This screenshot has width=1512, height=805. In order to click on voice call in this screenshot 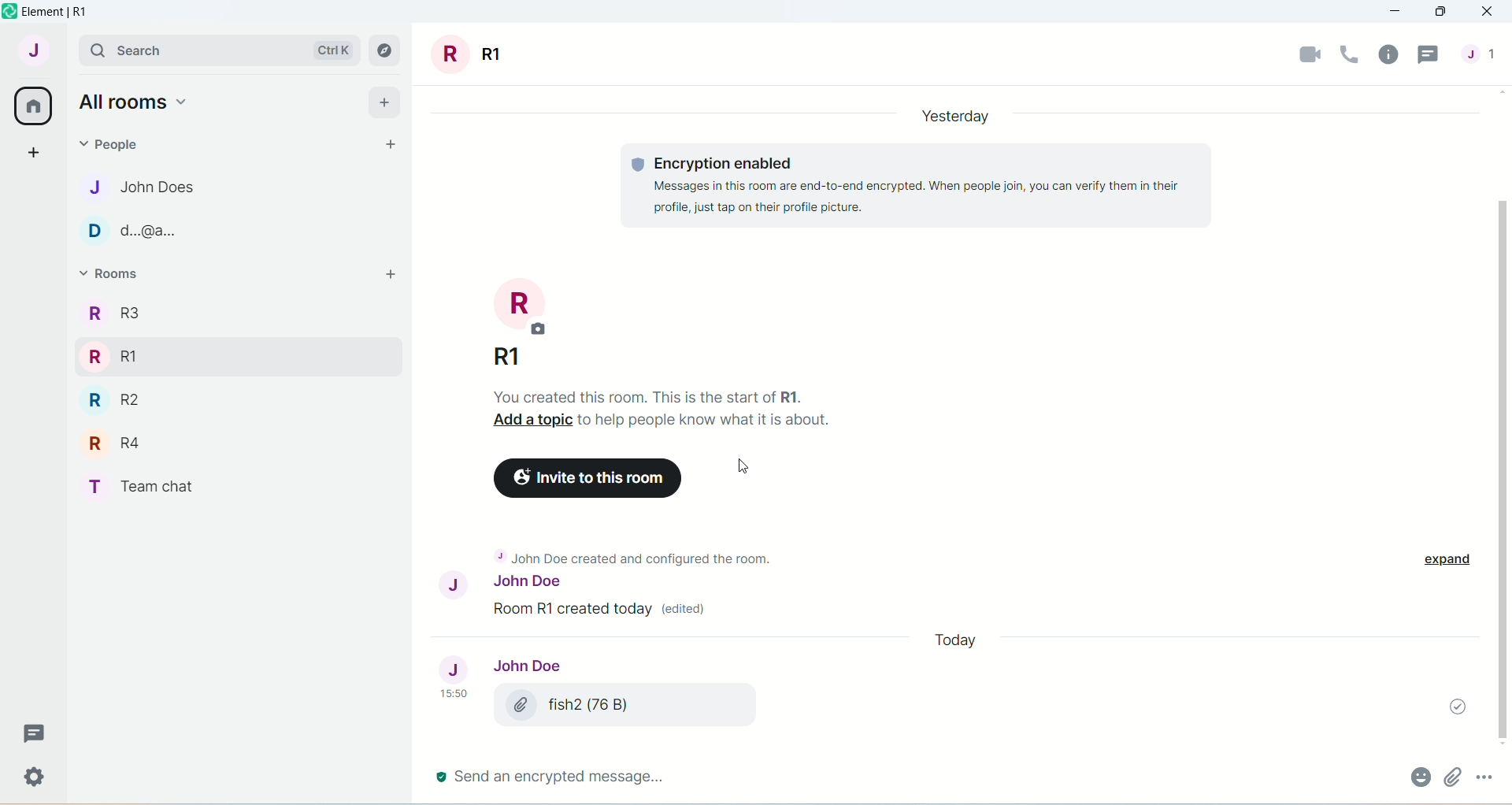, I will do `click(1349, 56)`.